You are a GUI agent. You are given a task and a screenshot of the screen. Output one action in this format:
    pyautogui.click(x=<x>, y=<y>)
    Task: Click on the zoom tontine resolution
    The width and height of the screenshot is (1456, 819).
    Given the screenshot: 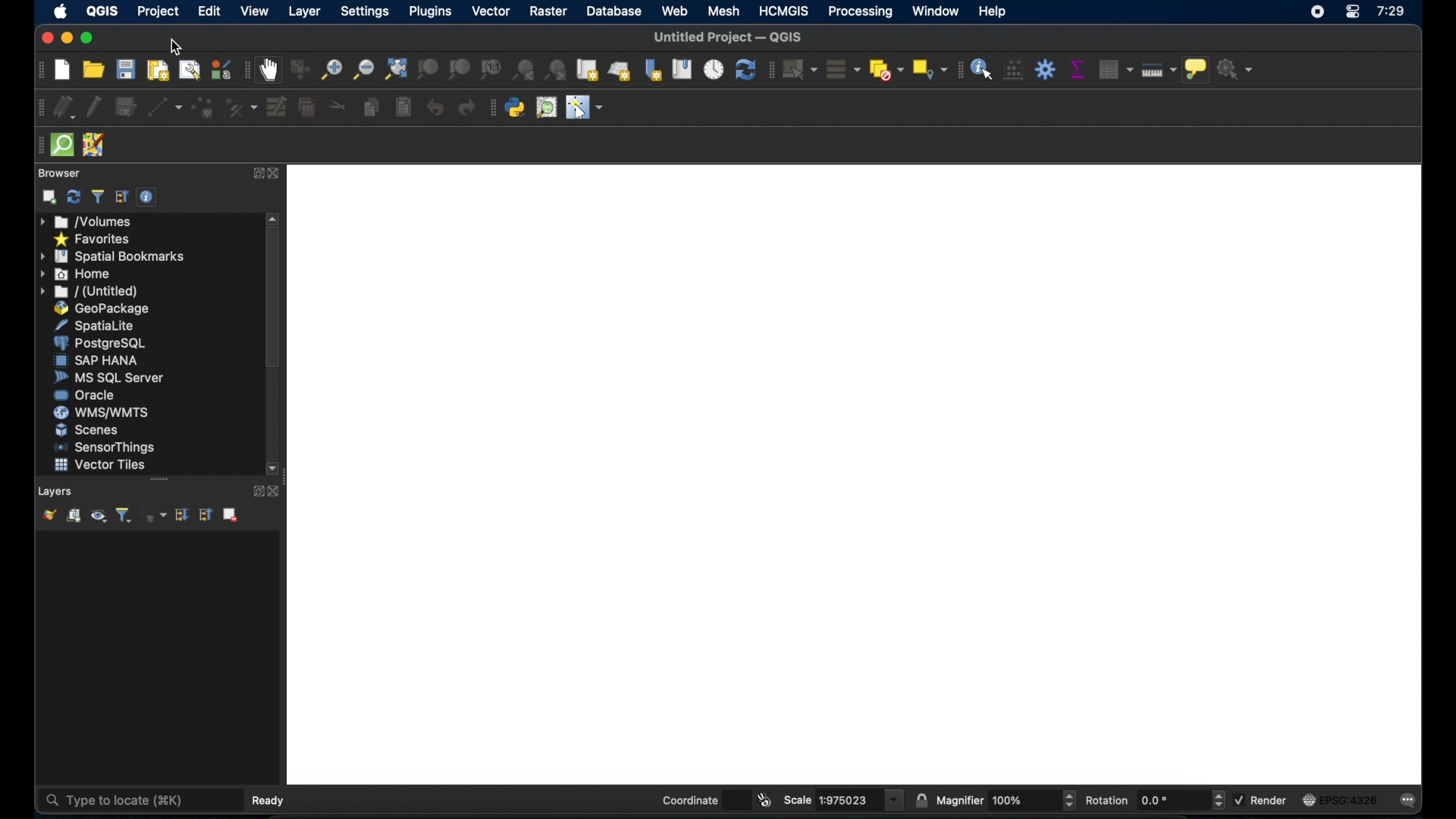 What is the action you would take?
    pyautogui.click(x=490, y=70)
    